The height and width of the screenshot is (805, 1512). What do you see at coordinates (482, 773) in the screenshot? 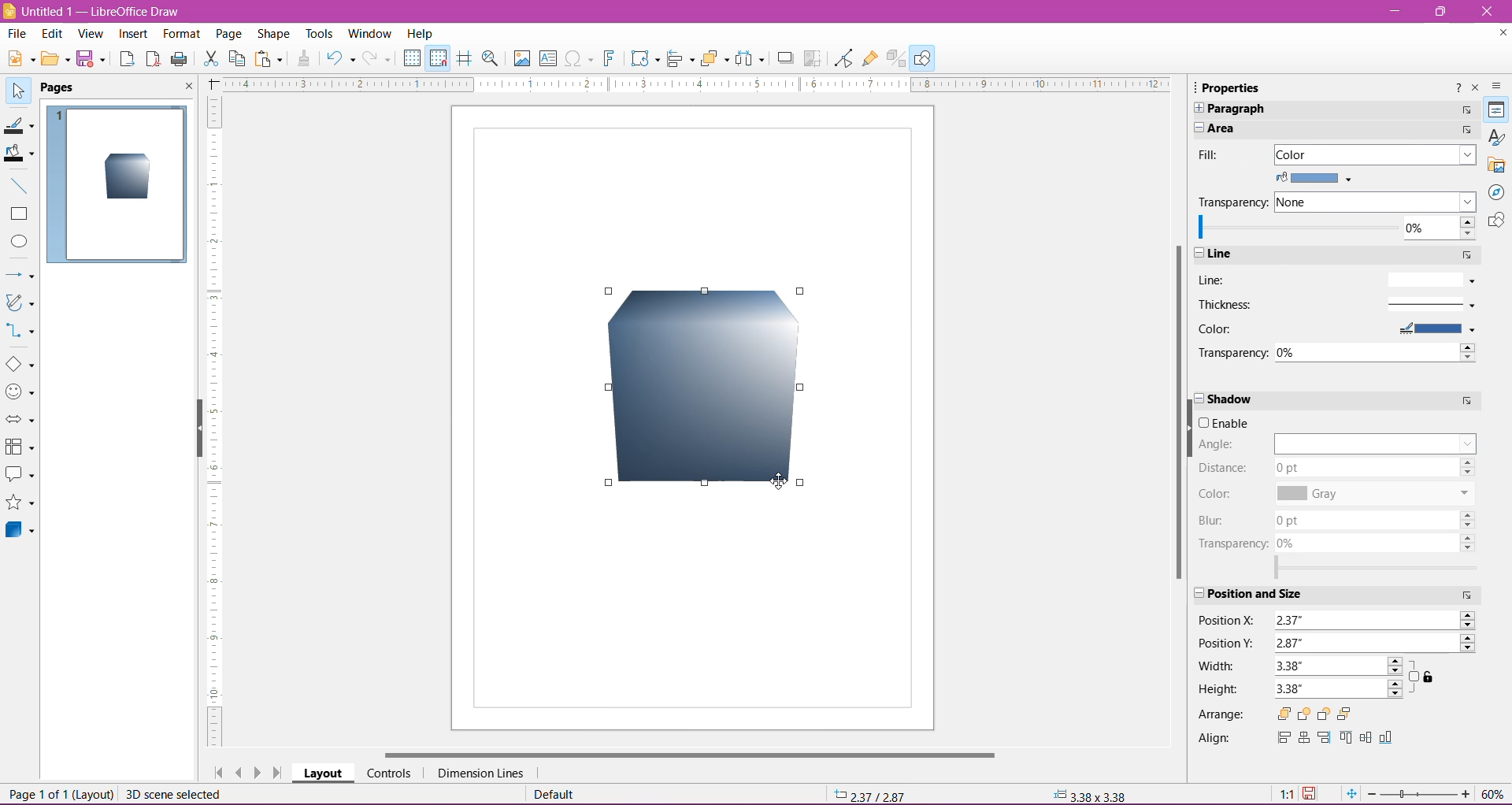
I see `Dimension Lines` at bounding box center [482, 773].